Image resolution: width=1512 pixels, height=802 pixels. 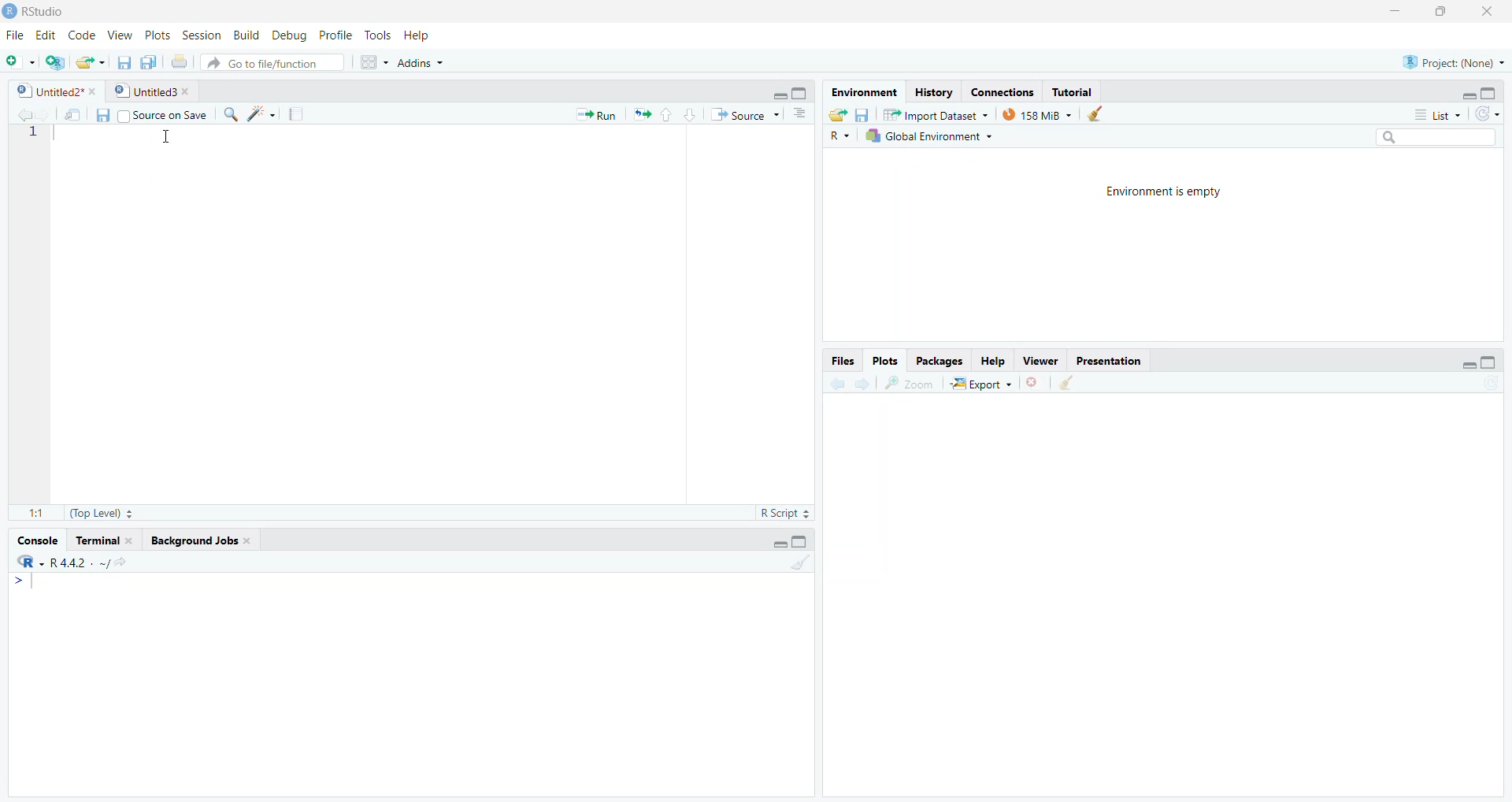 I want to click on clear viewer items, so click(x=1100, y=114).